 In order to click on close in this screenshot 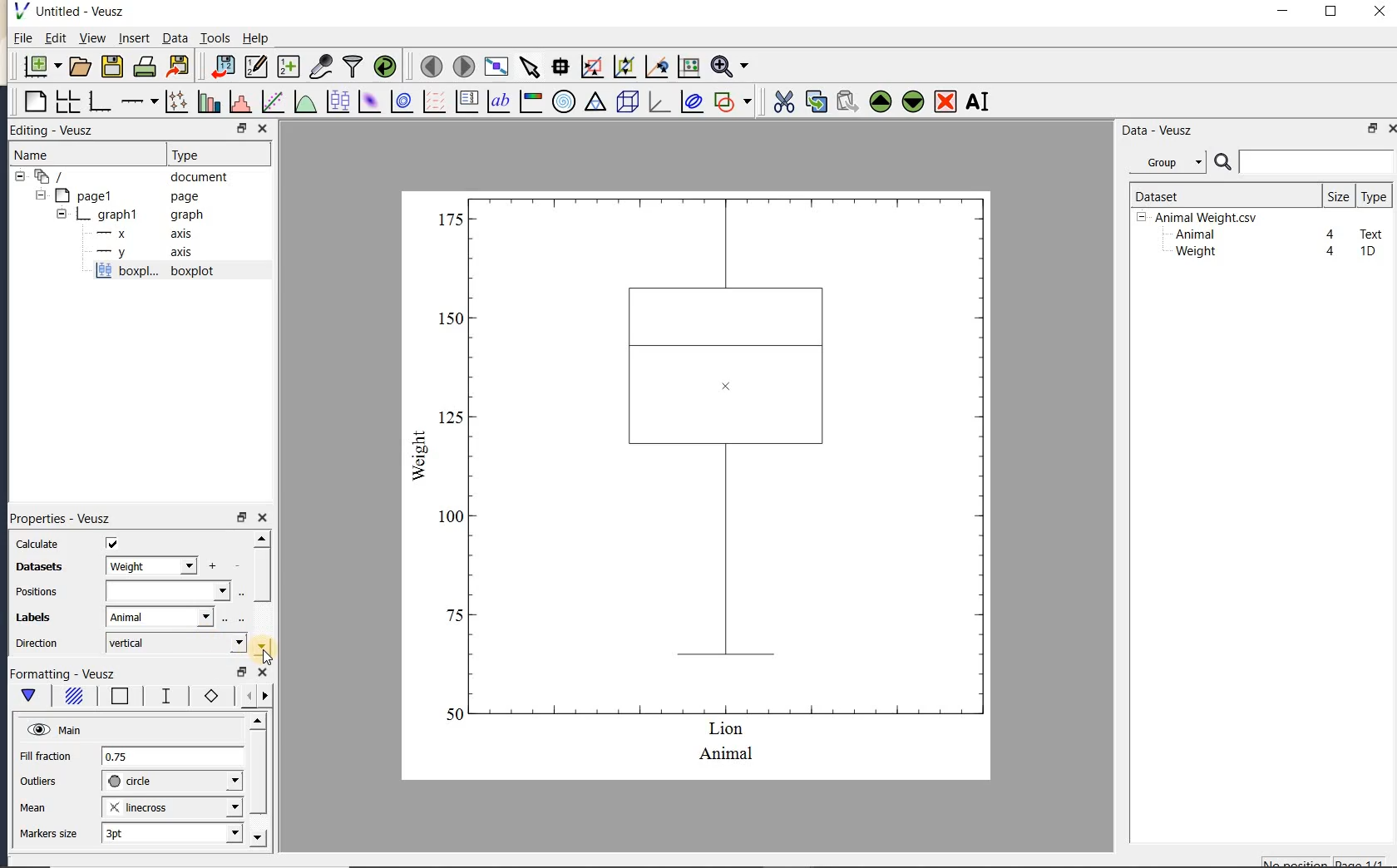, I will do `click(1380, 12)`.